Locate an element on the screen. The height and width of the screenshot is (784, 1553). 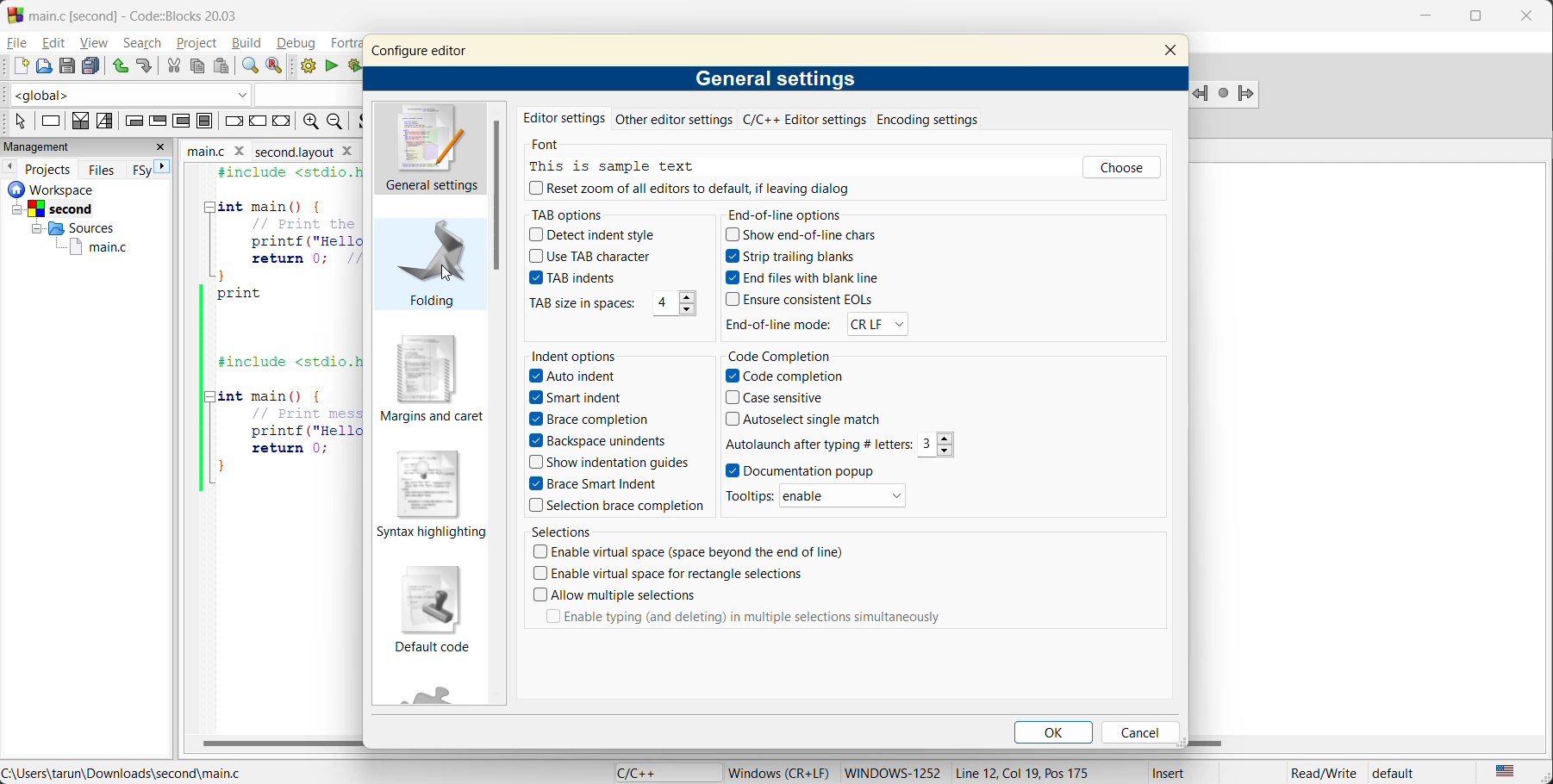
this is sample text is located at coordinates (621, 167).